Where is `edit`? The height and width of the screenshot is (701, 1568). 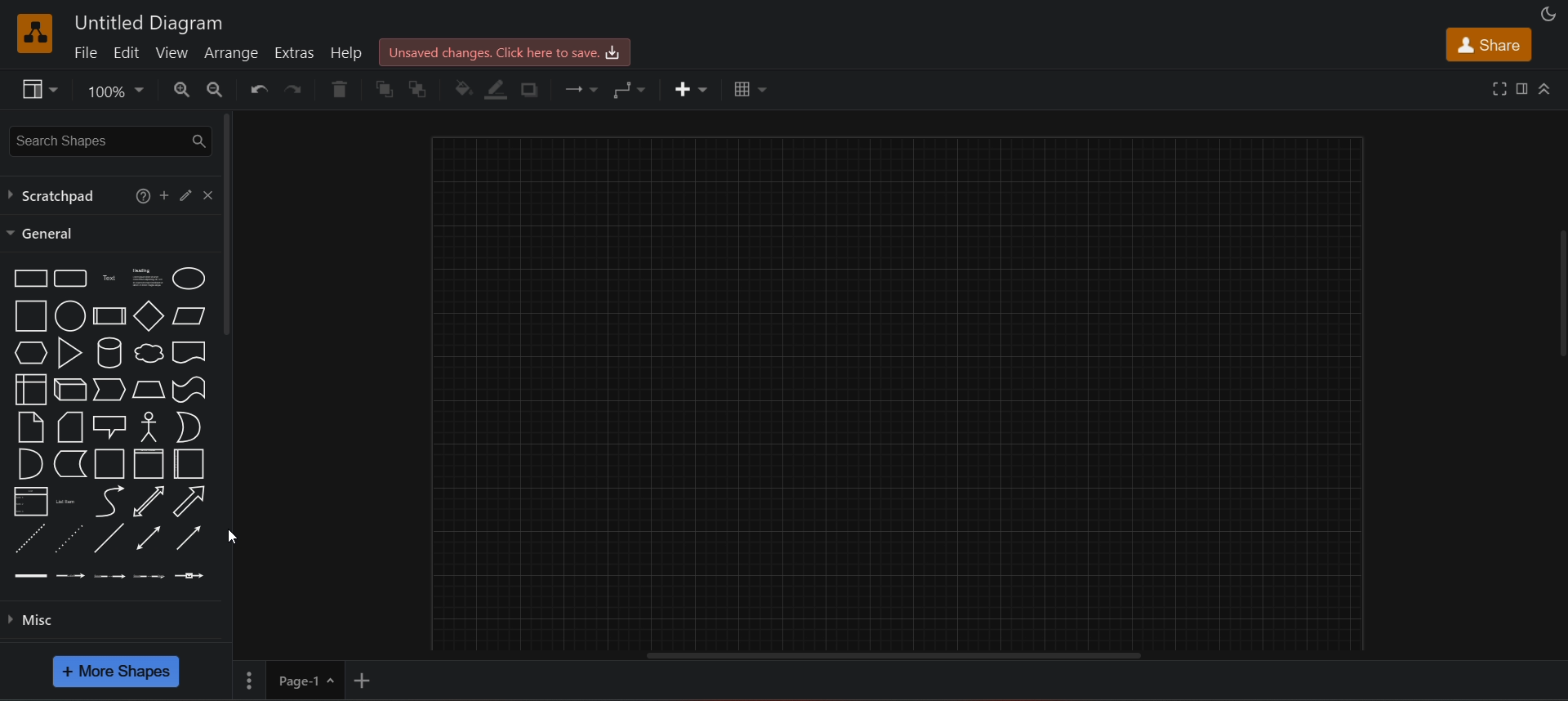 edit is located at coordinates (188, 194).